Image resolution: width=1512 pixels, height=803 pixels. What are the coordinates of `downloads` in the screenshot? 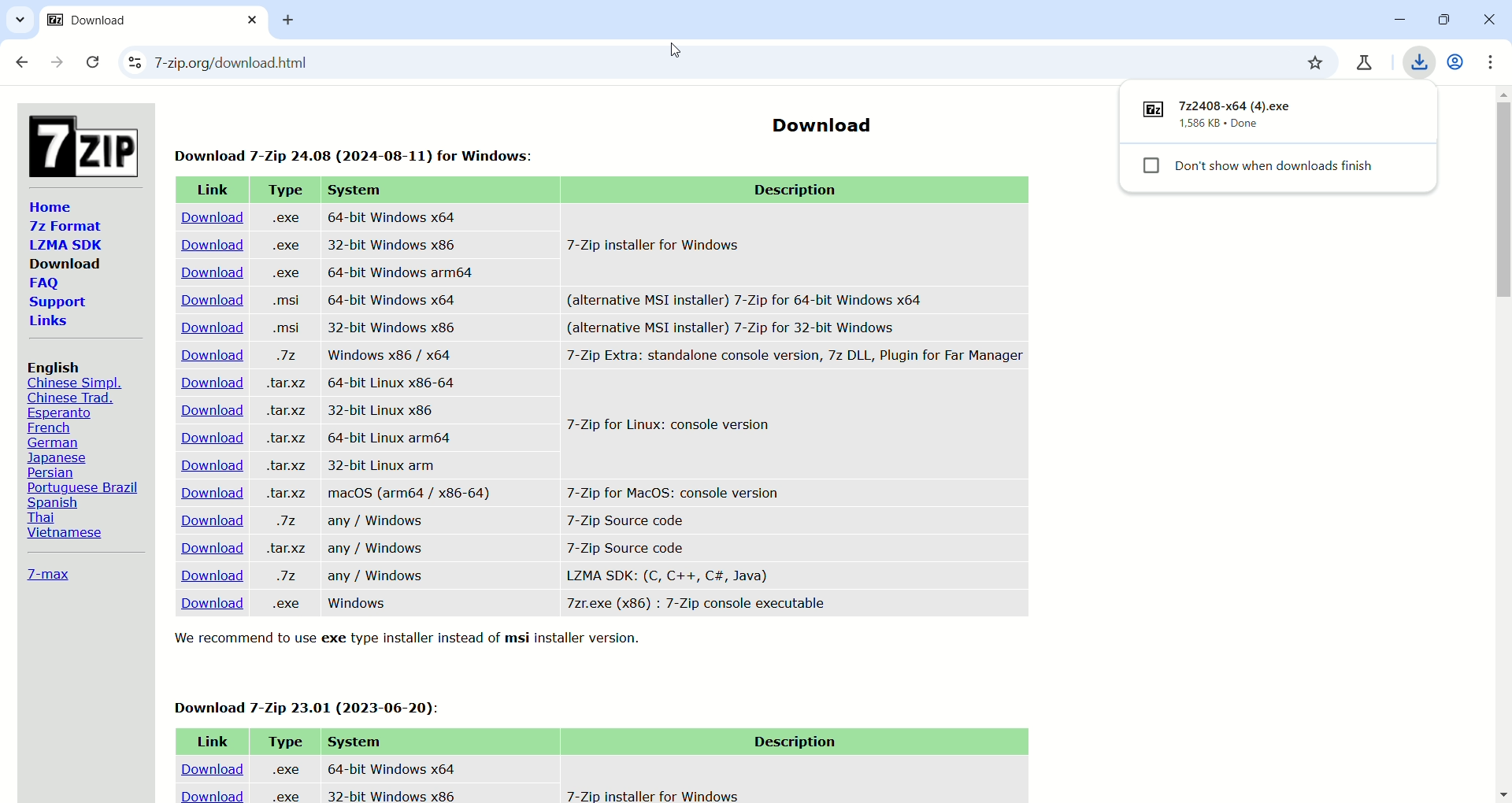 It's located at (1419, 59).